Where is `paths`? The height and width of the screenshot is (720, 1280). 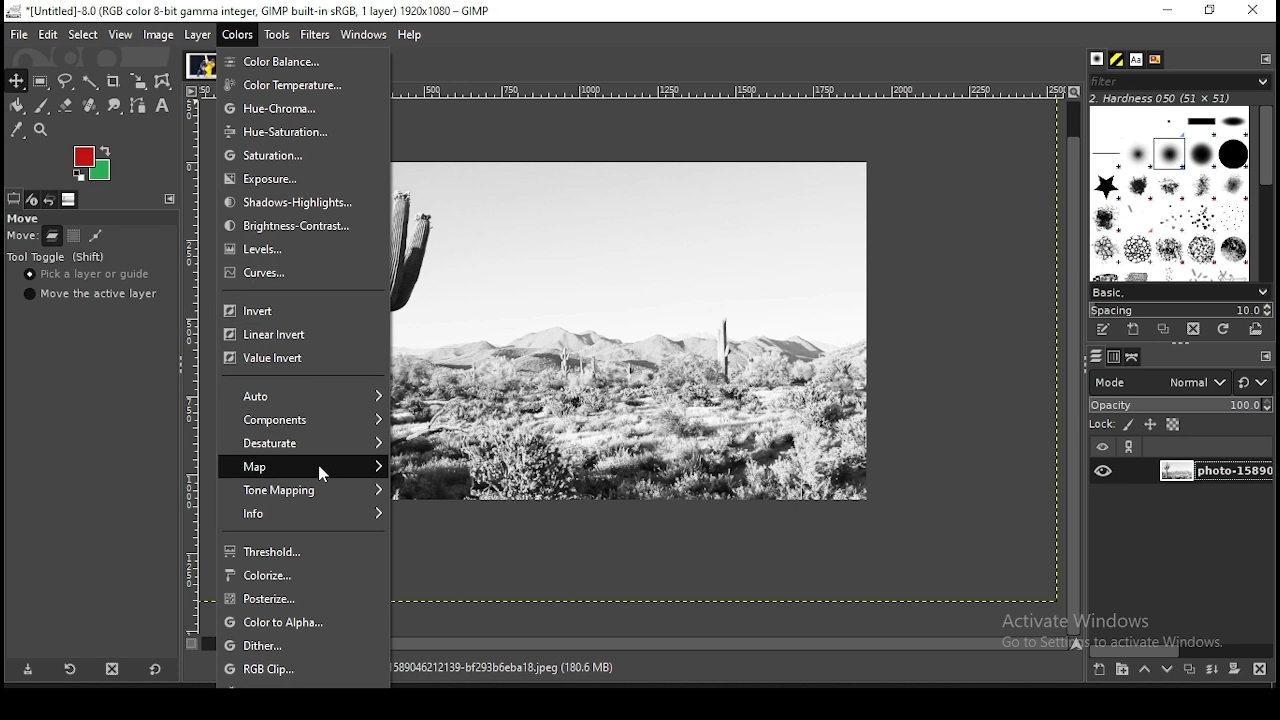 paths is located at coordinates (1134, 357).